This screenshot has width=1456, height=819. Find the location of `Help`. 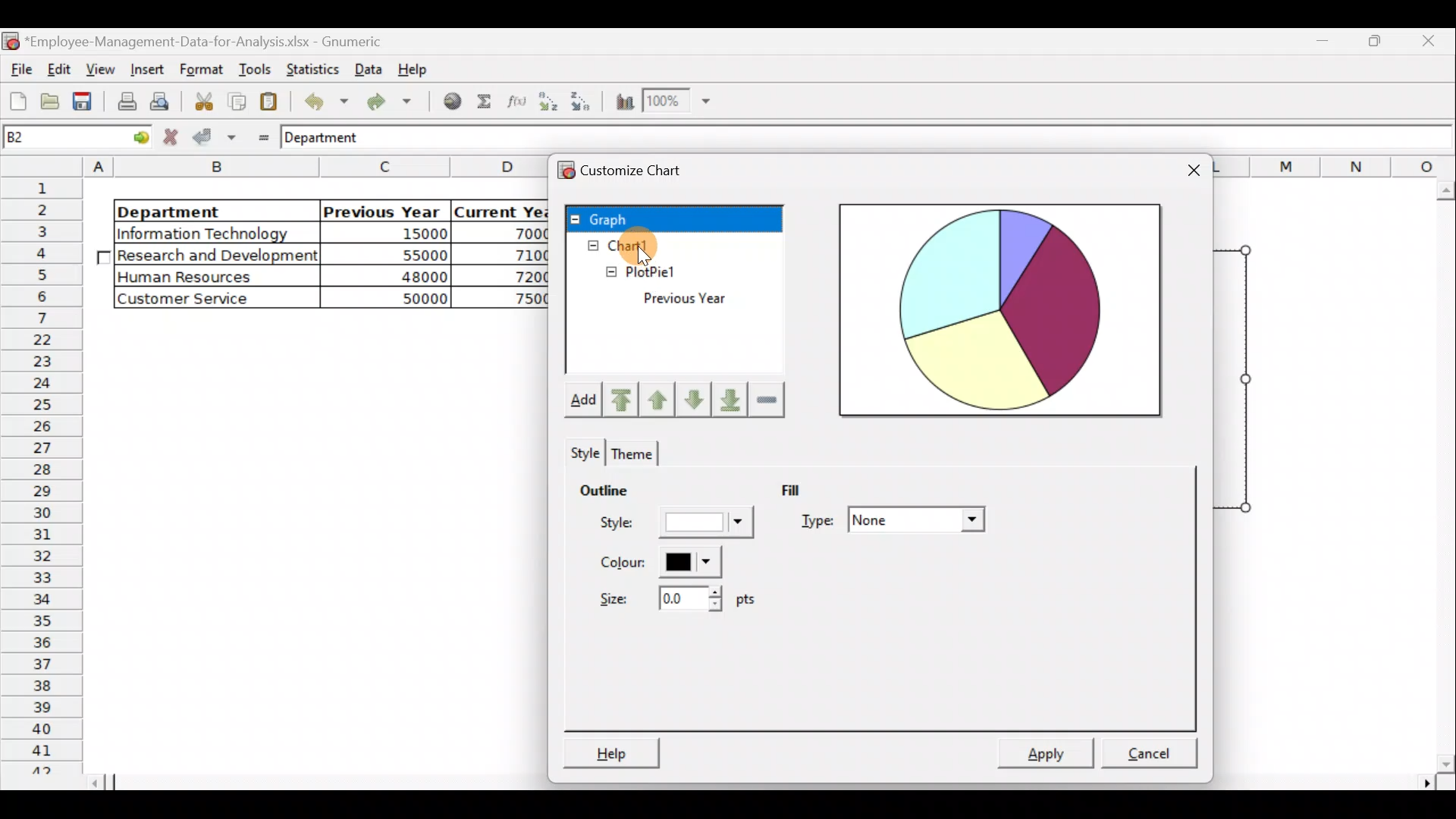

Help is located at coordinates (416, 73).